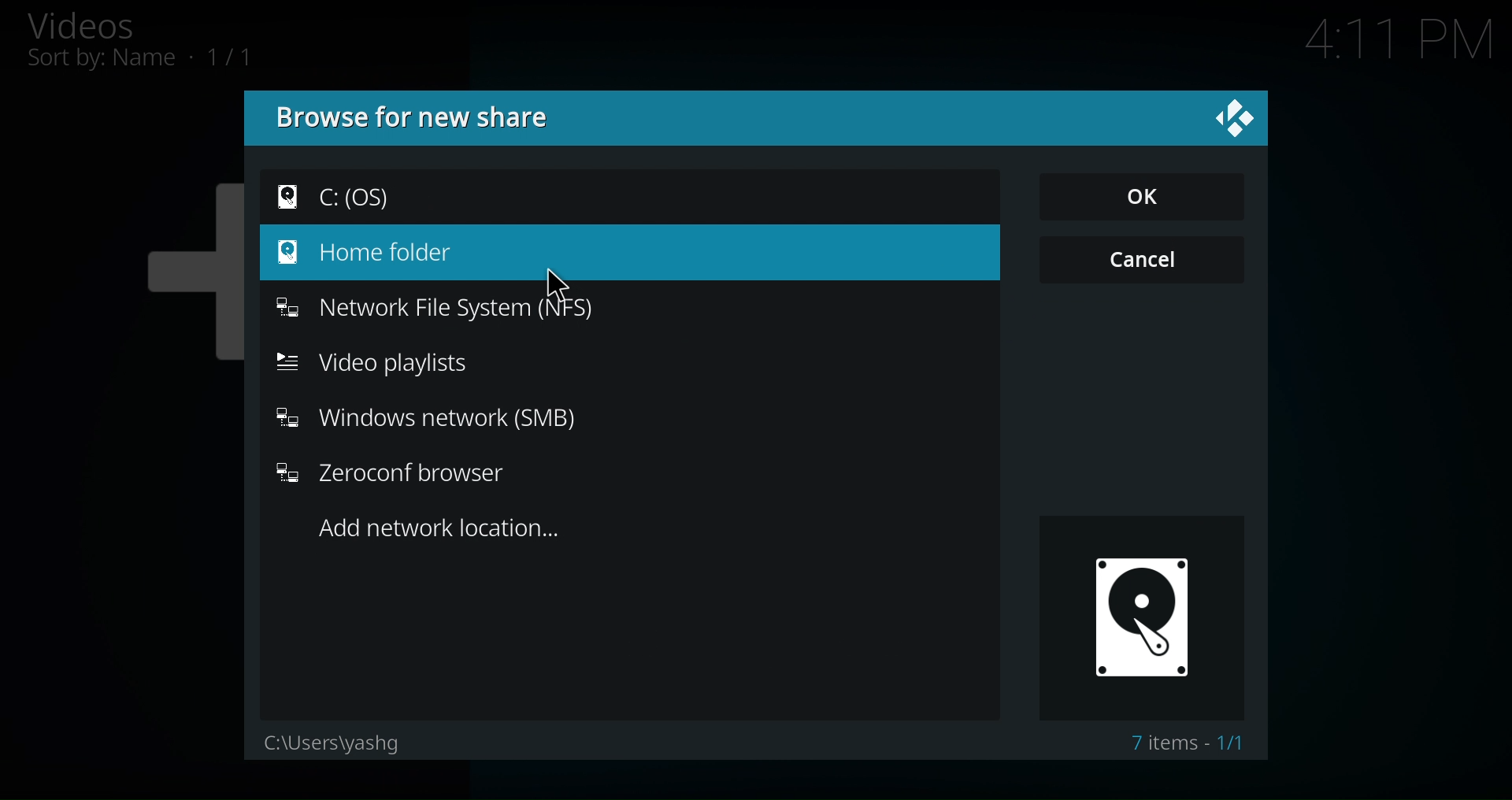 This screenshot has height=800, width=1512. What do you see at coordinates (1139, 617) in the screenshot?
I see `File Logo` at bounding box center [1139, 617].